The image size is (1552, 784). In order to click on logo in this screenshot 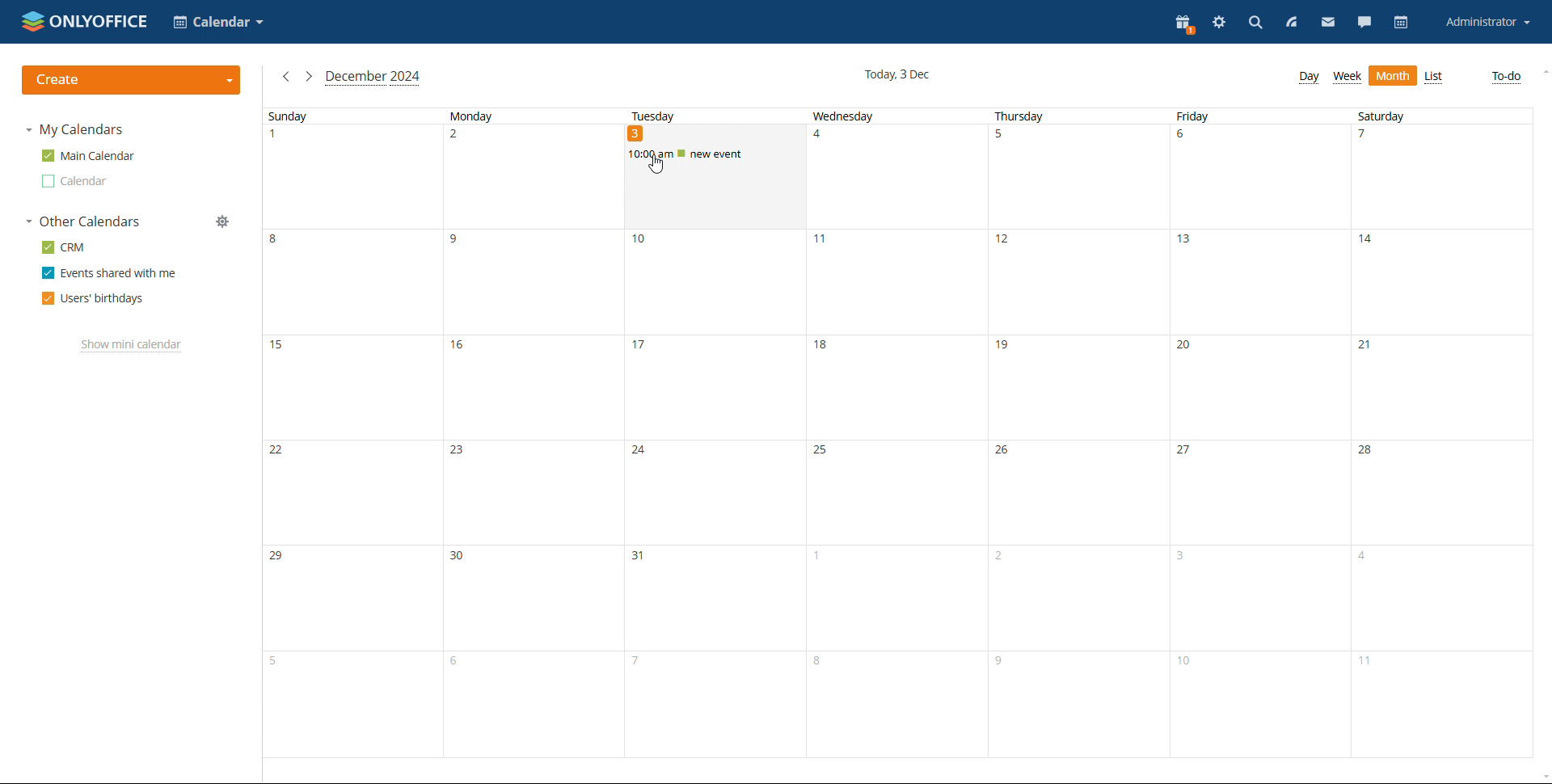, I will do `click(85, 20)`.